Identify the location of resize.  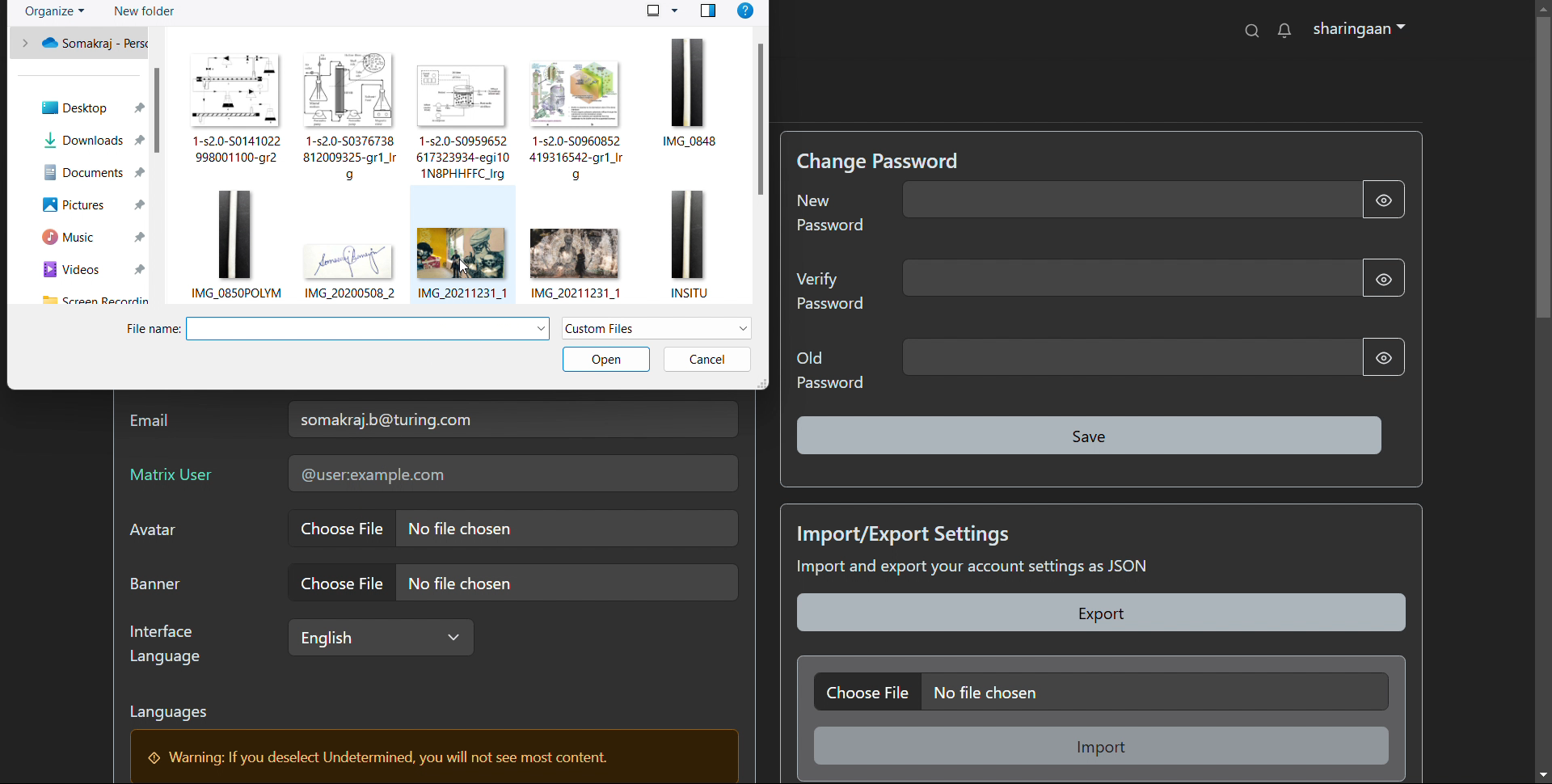
(761, 383).